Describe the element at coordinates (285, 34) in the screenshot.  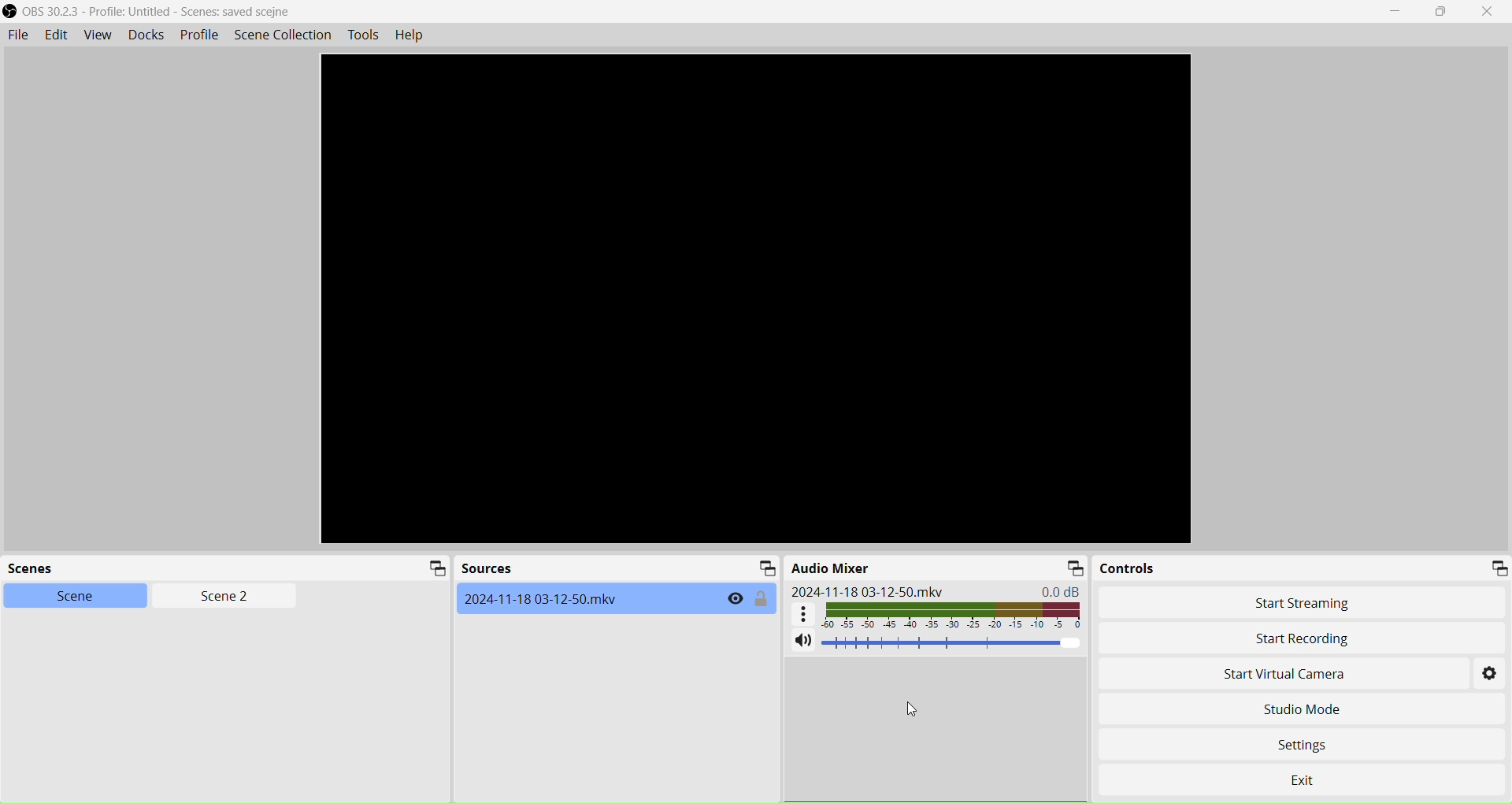
I see `SceneCollection` at that location.